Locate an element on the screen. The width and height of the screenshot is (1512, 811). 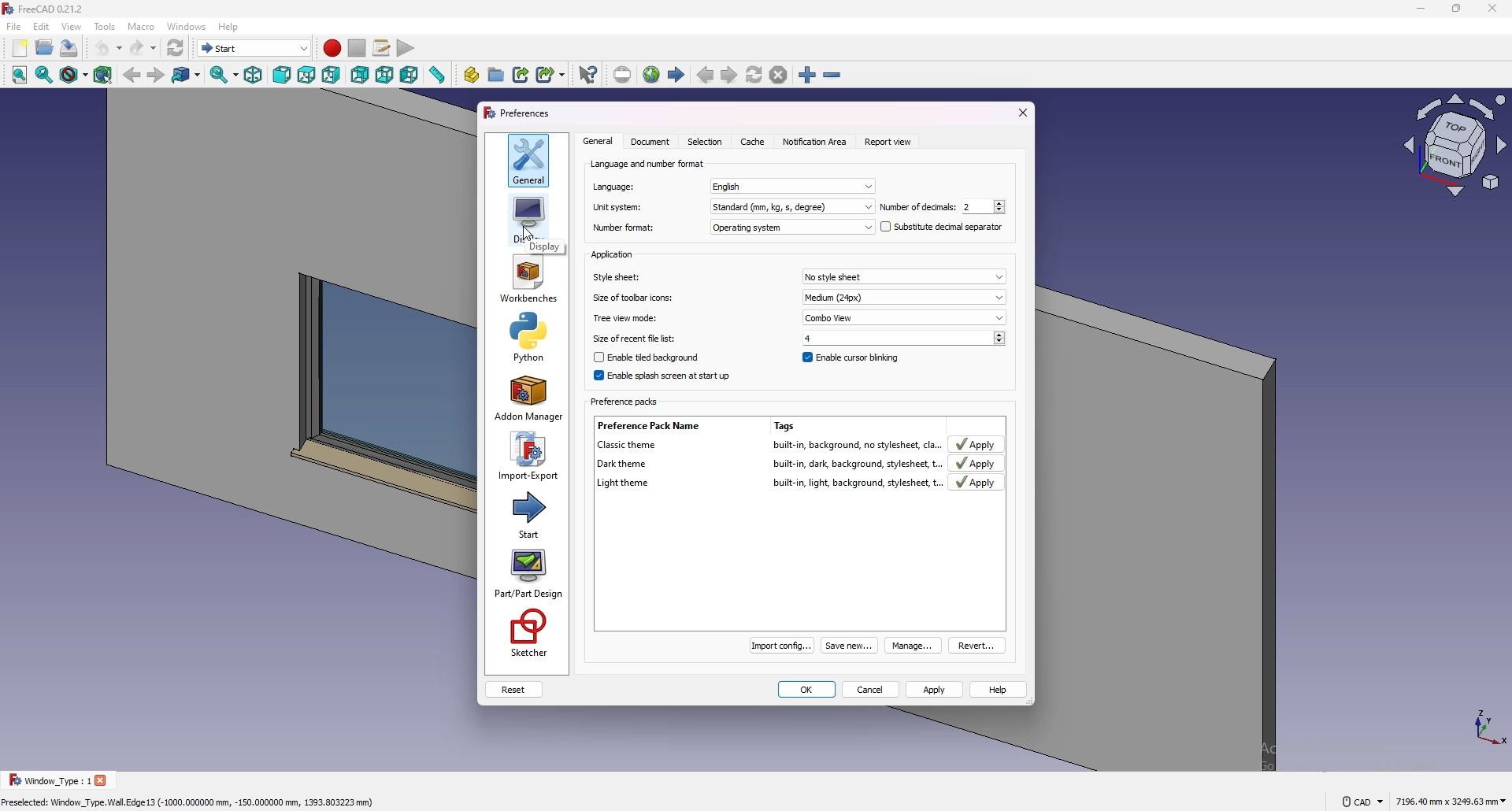
No style sheet  is located at coordinates (903, 277).